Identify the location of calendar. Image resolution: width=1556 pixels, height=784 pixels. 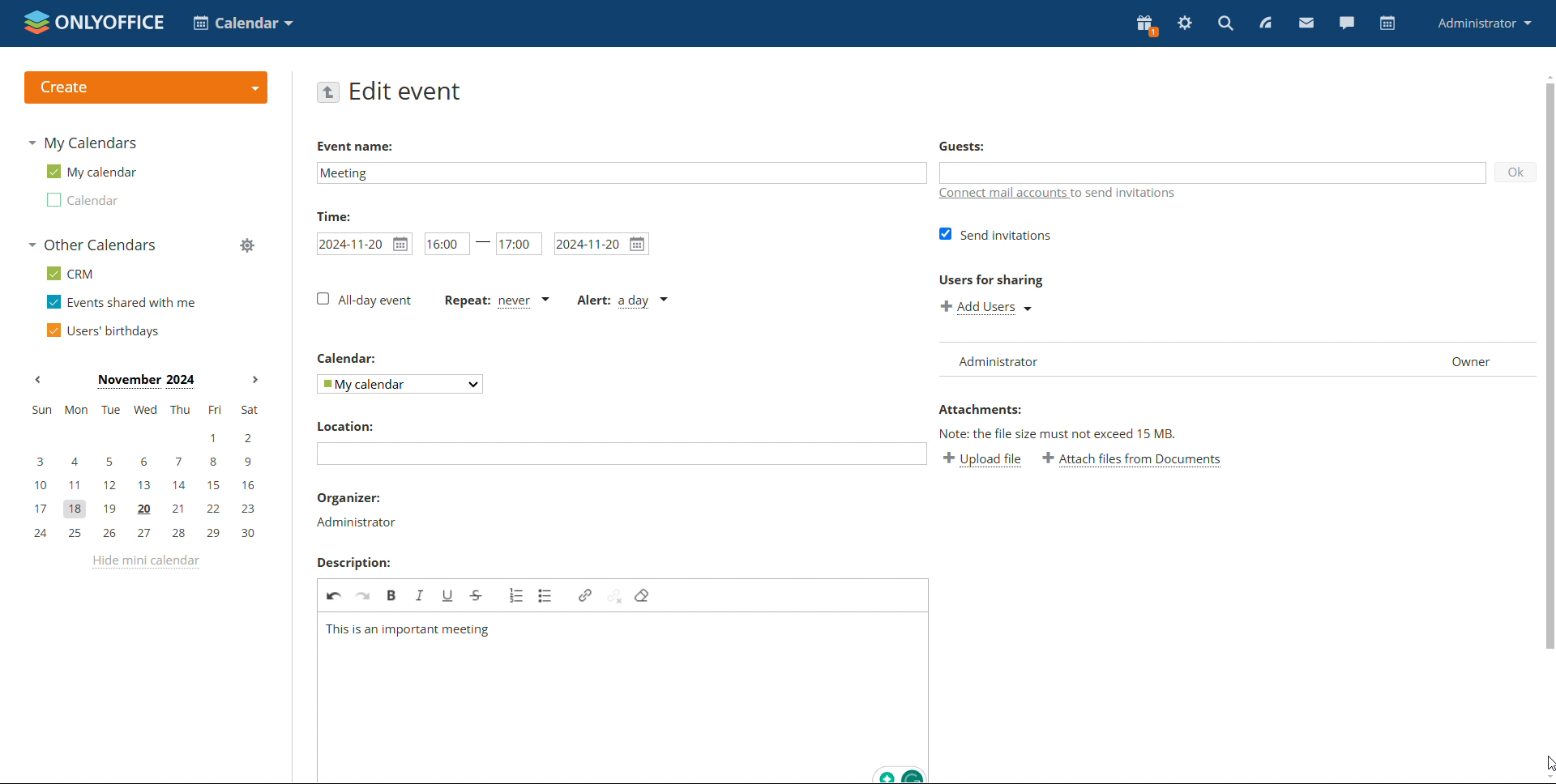
(82, 200).